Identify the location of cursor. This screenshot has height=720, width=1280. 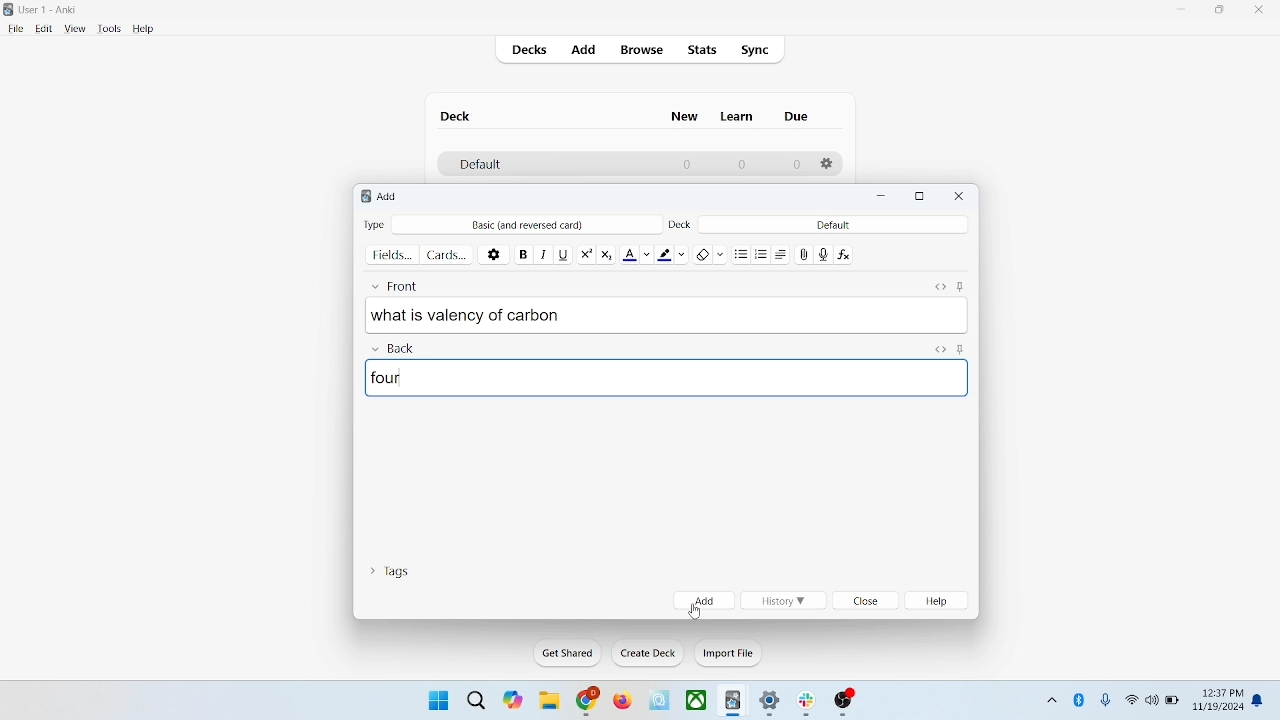
(693, 612).